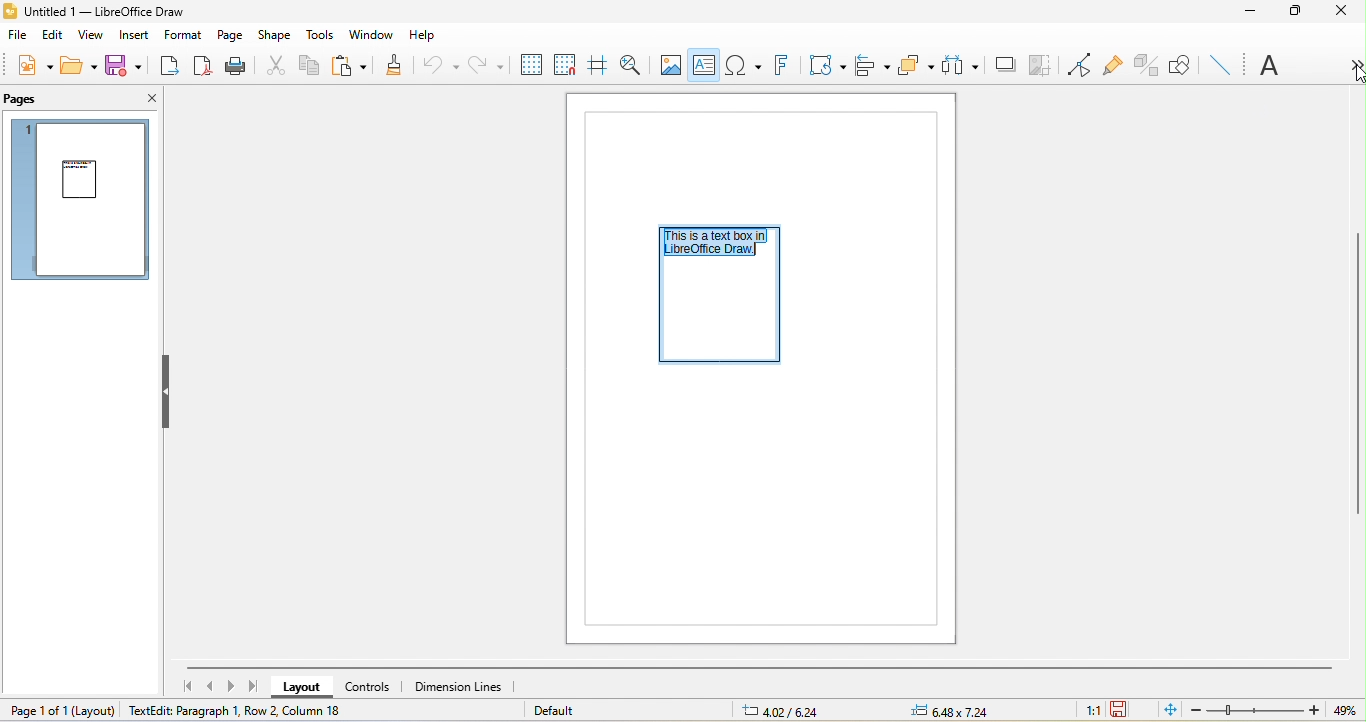 This screenshot has height=722, width=1366. I want to click on text box, so click(705, 65).